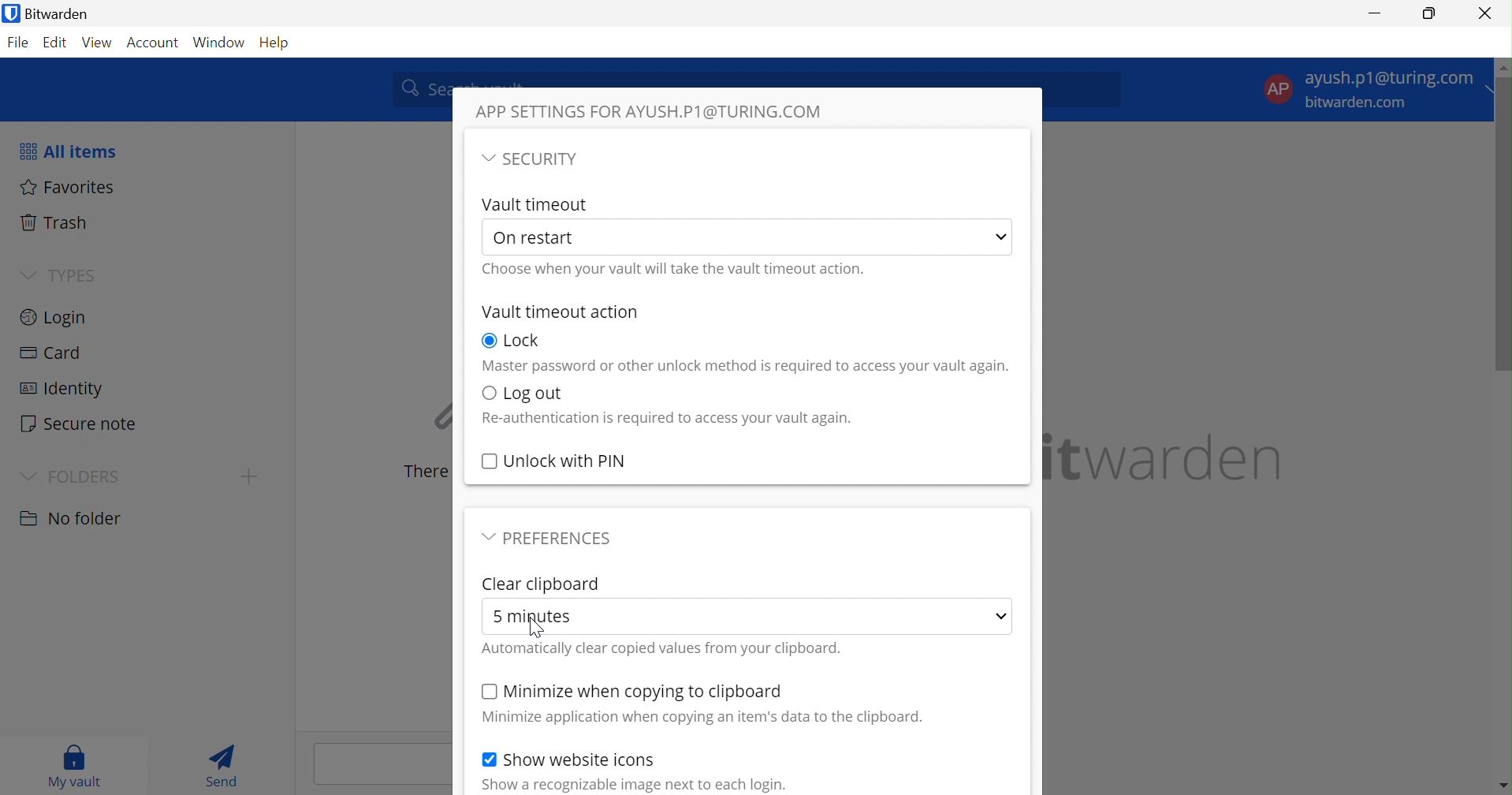  What do you see at coordinates (488, 340) in the screenshot?
I see `Checkbox` at bounding box center [488, 340].